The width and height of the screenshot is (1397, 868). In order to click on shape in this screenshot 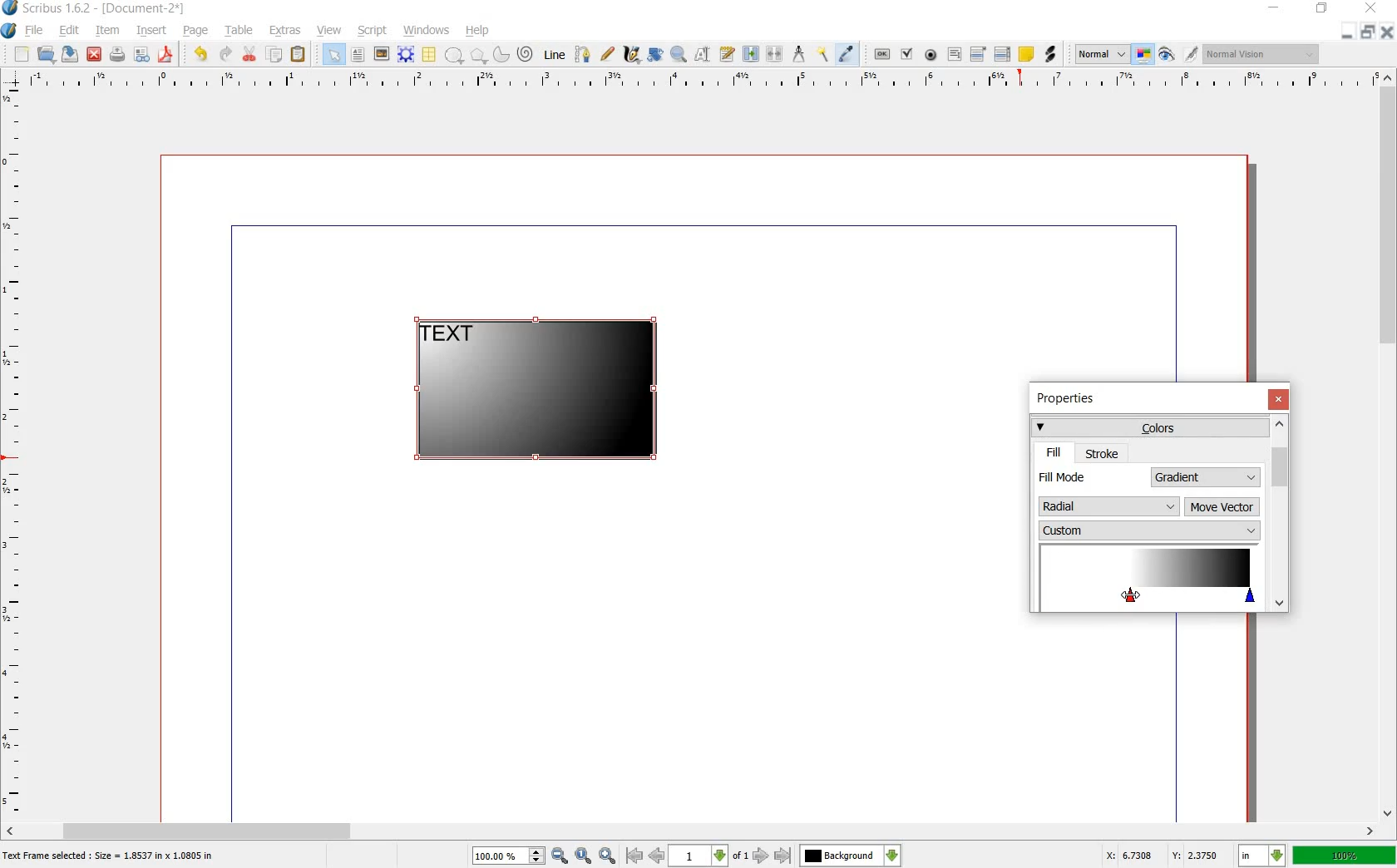, I will do `click(454, 56)`.